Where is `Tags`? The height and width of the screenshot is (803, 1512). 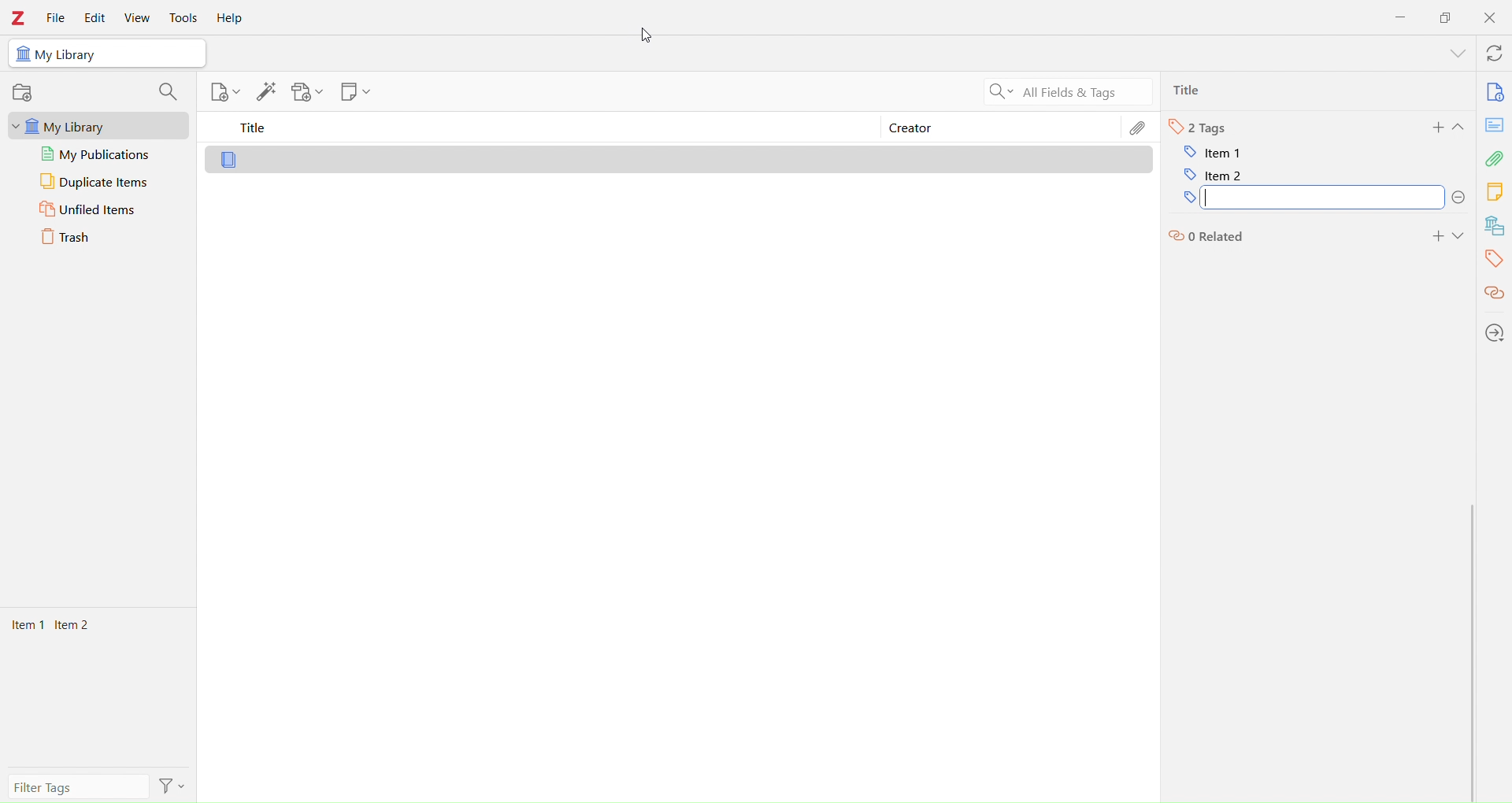 Tags is located at coordinates (1205, 130).